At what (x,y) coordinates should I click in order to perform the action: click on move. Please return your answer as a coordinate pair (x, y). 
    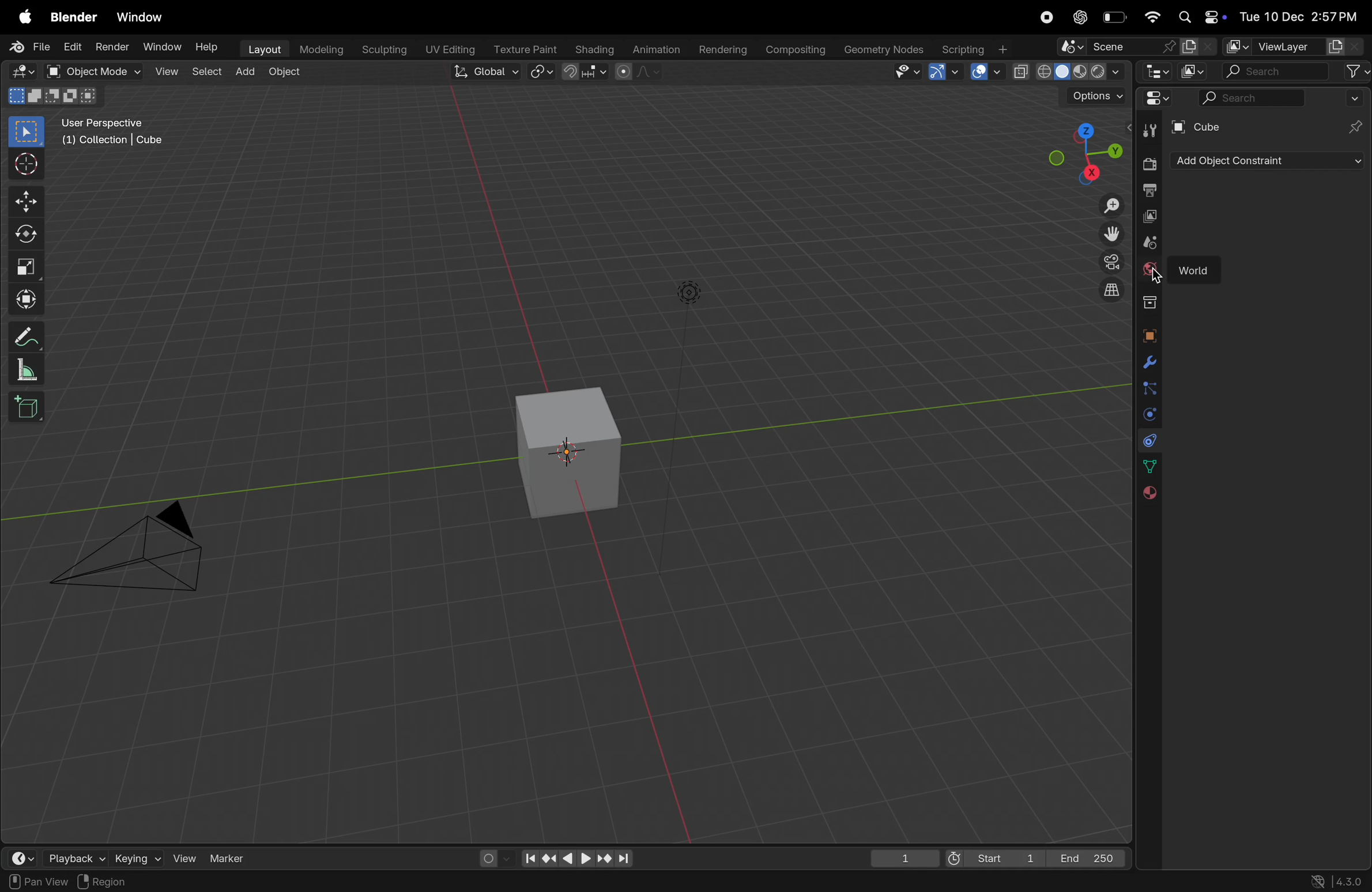
    Looking at the image, I should click on (26, 199).